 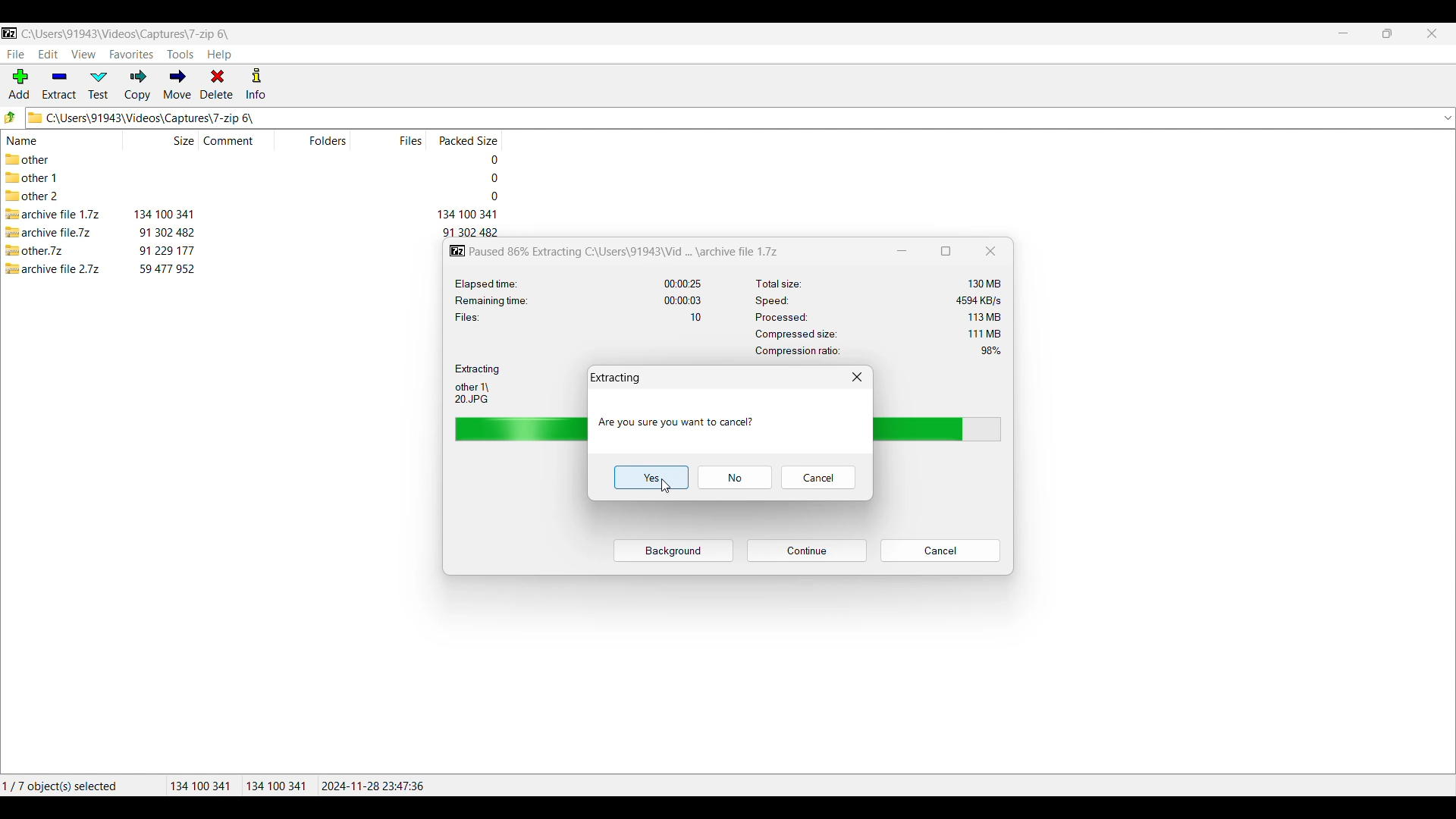 I want to click on Extracting, so click(x=478, y=369).